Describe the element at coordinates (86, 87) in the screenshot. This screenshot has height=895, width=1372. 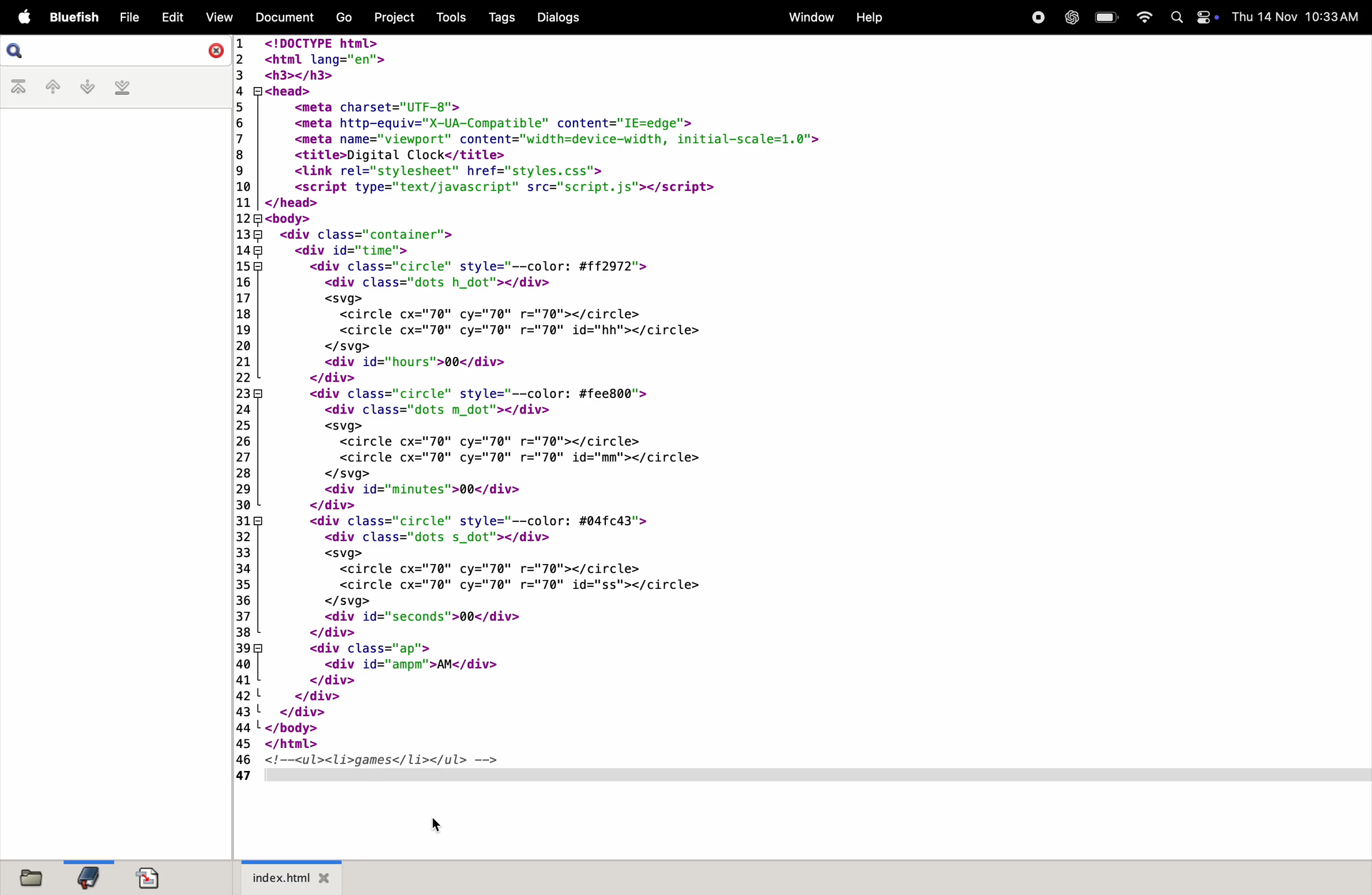
I see `next bookmark` at that location.